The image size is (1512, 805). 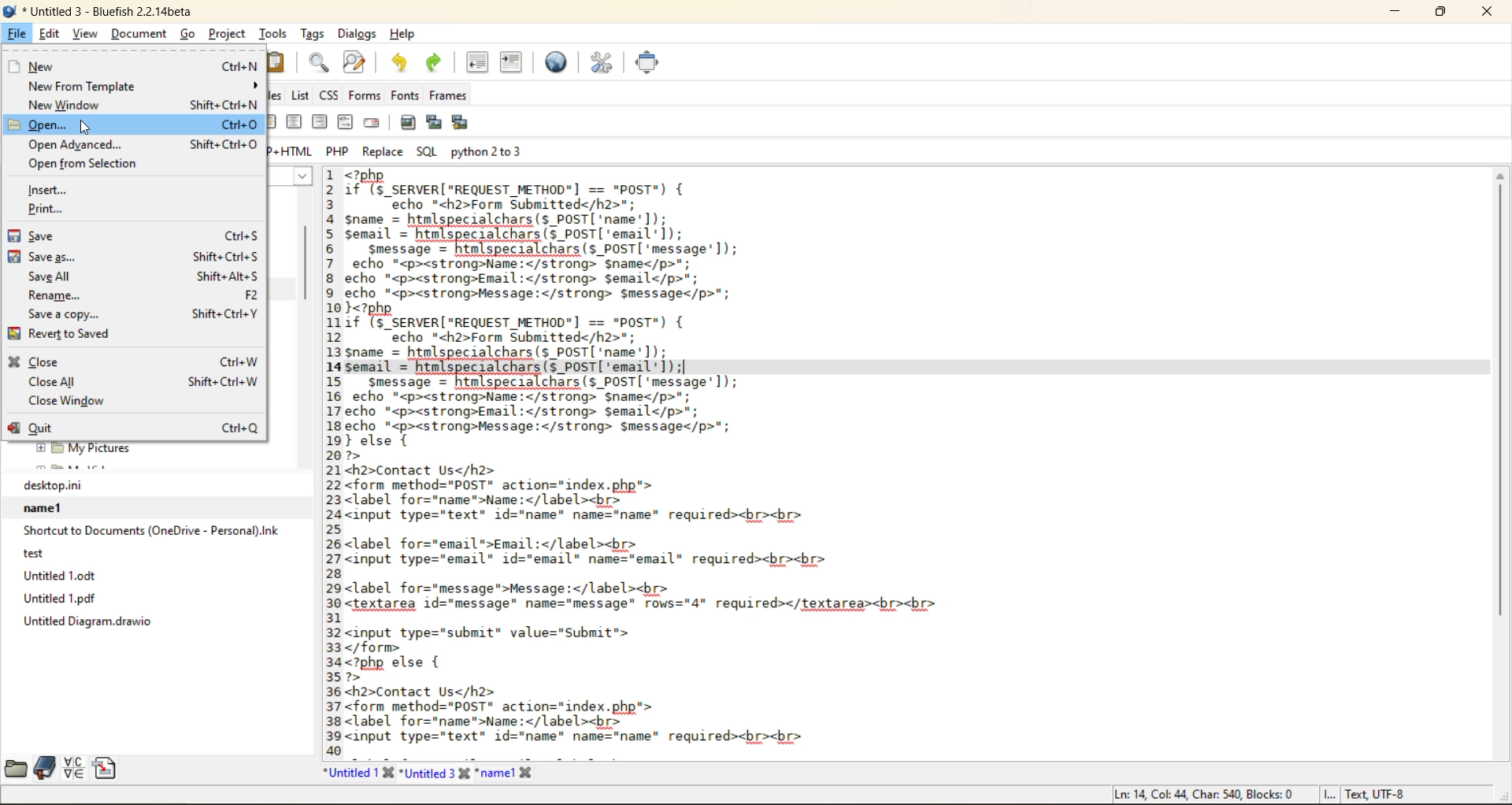 I want to click on revert to saved, so click(x=65, y=336).